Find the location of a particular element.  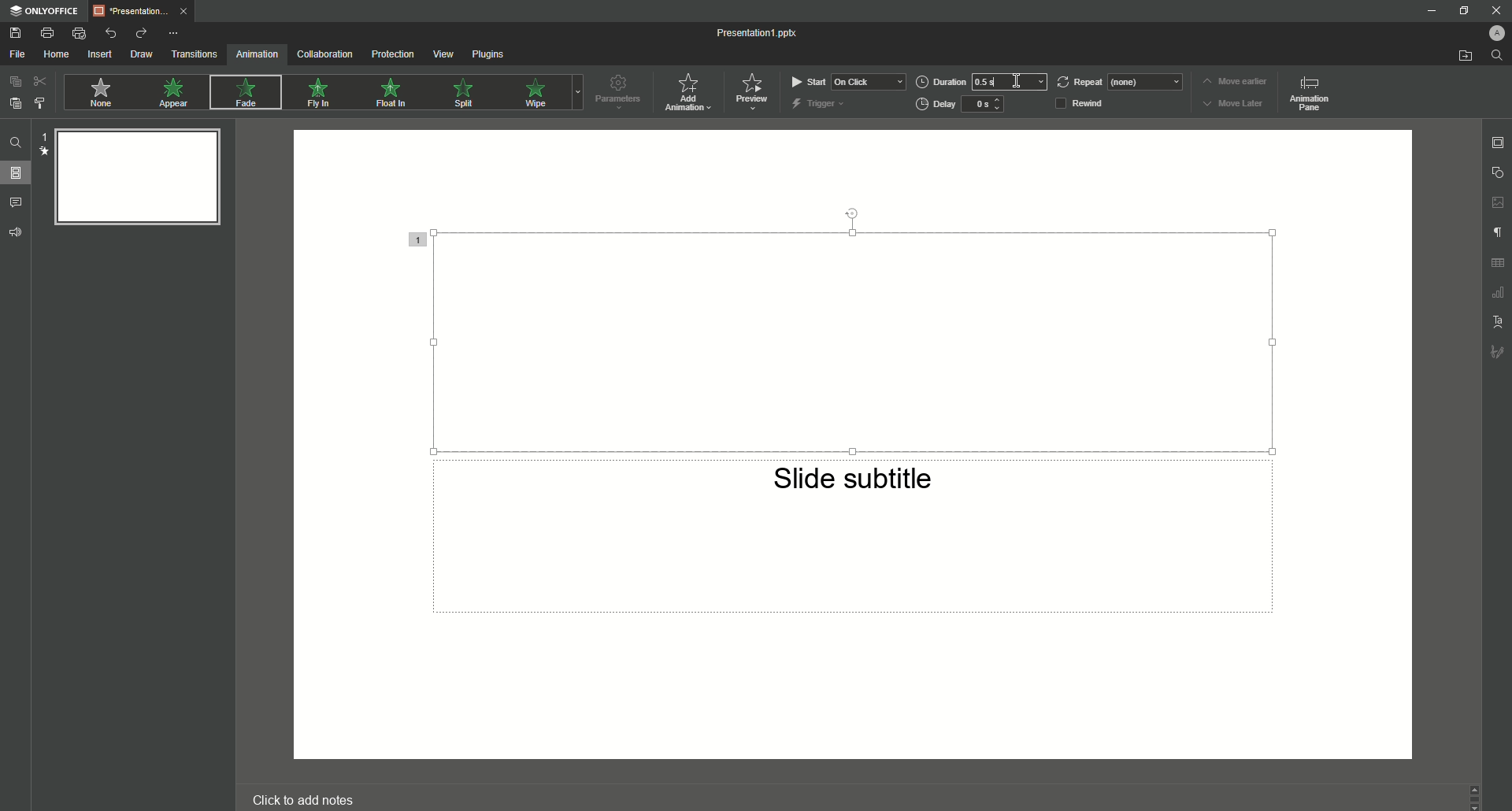

Slide settings is located at coordinates (1497, 142).